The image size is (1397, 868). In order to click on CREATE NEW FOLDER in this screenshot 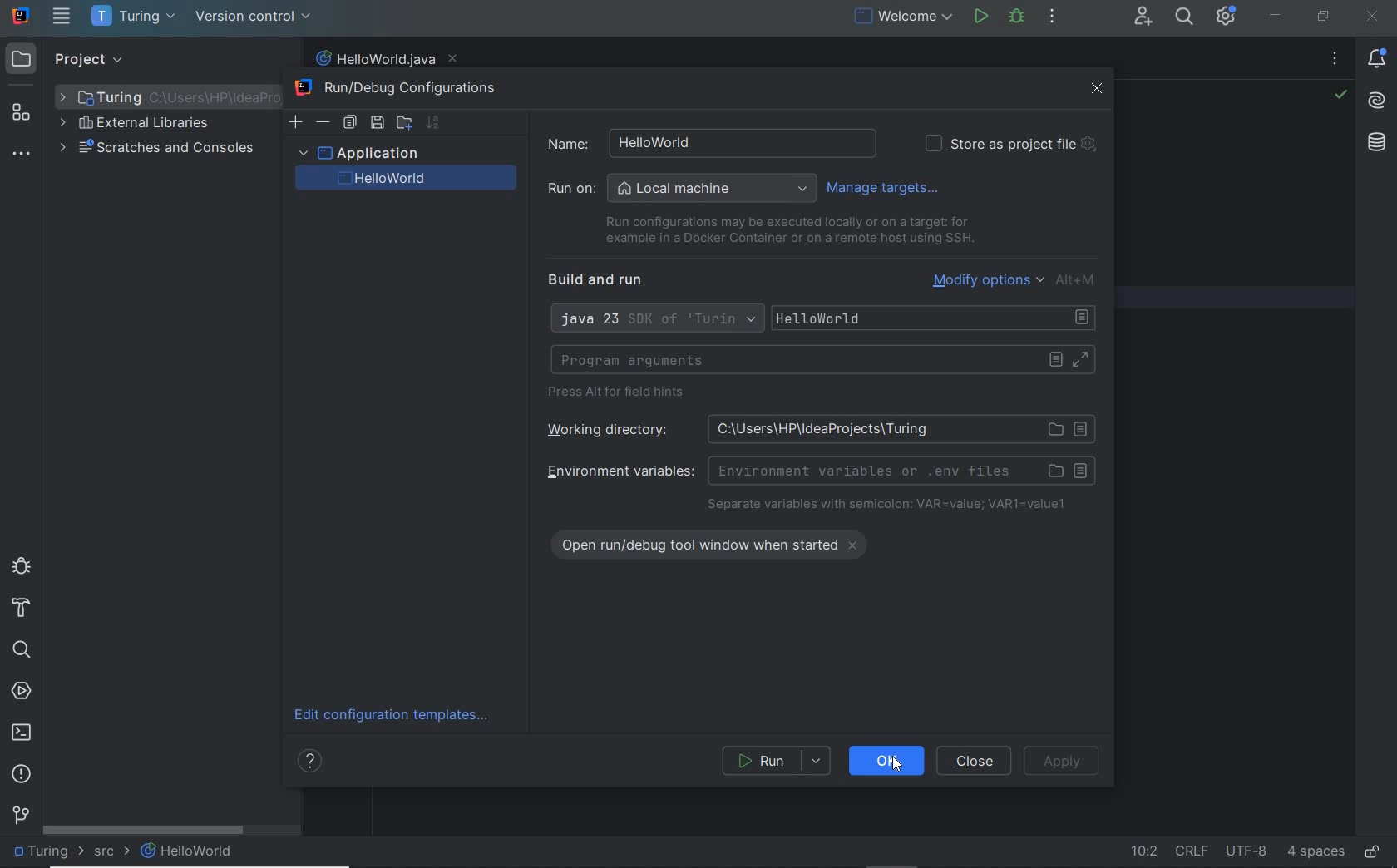, I will do `click(403, 121)`.